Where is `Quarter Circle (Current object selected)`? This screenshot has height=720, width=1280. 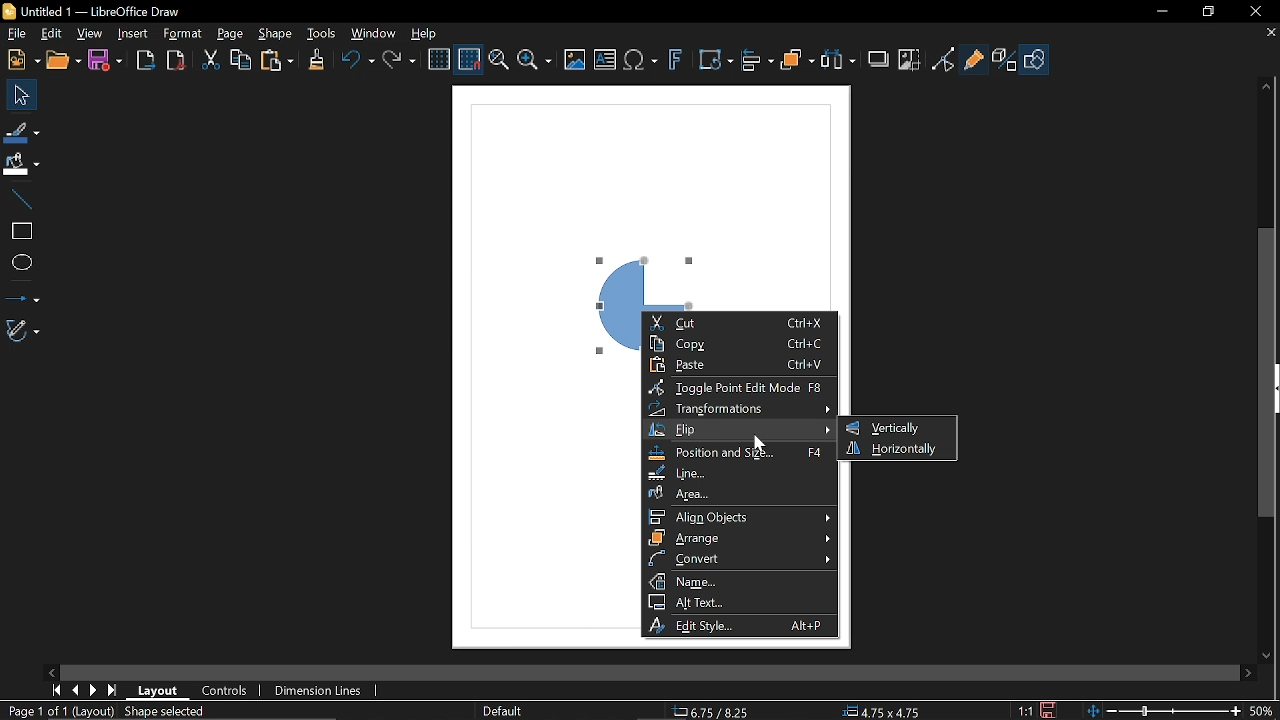
Quarter Circle (Current object selected) is located at coordinates (642, 266).